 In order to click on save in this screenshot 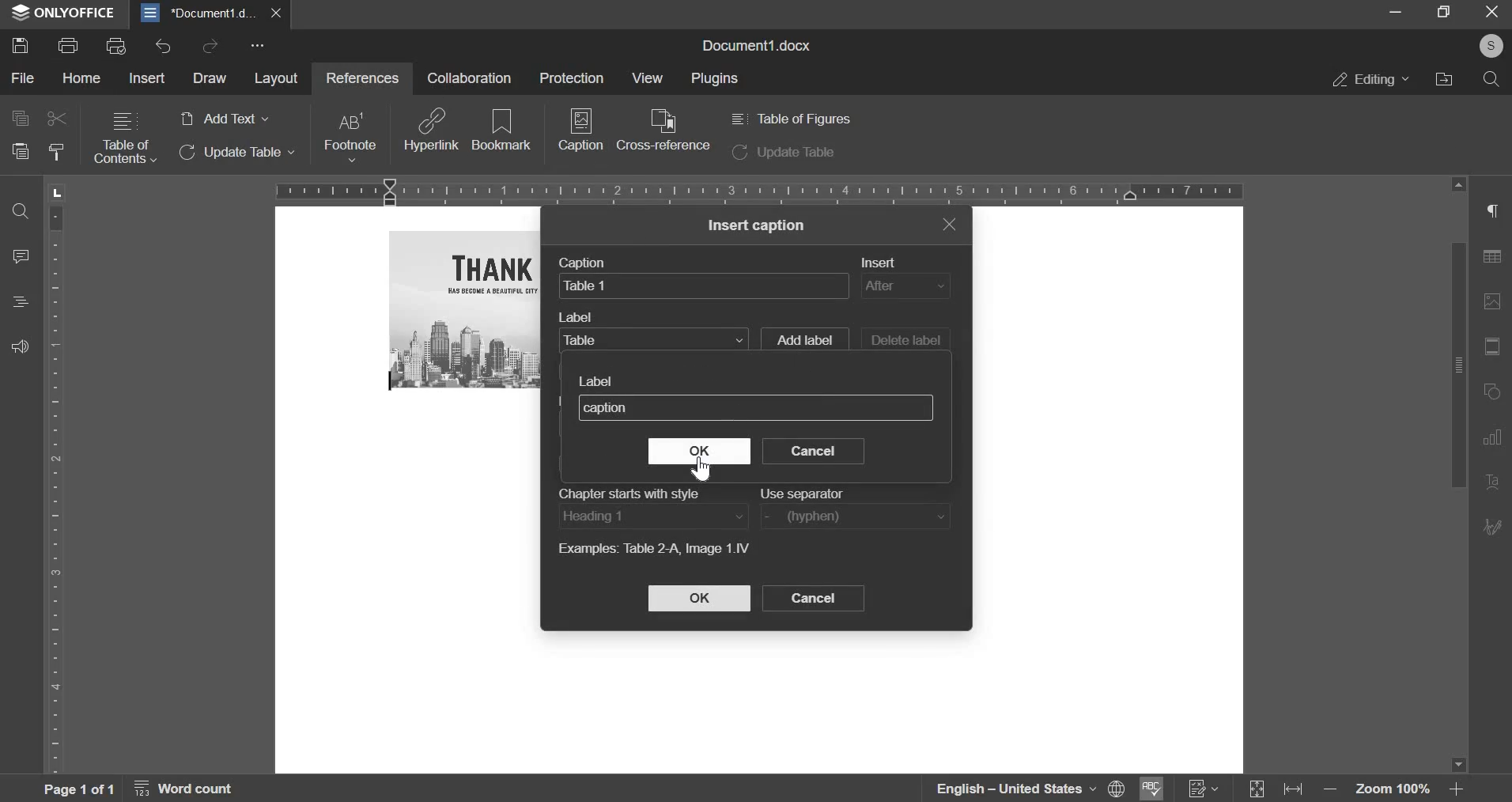, I will do `click(19, 44)`.